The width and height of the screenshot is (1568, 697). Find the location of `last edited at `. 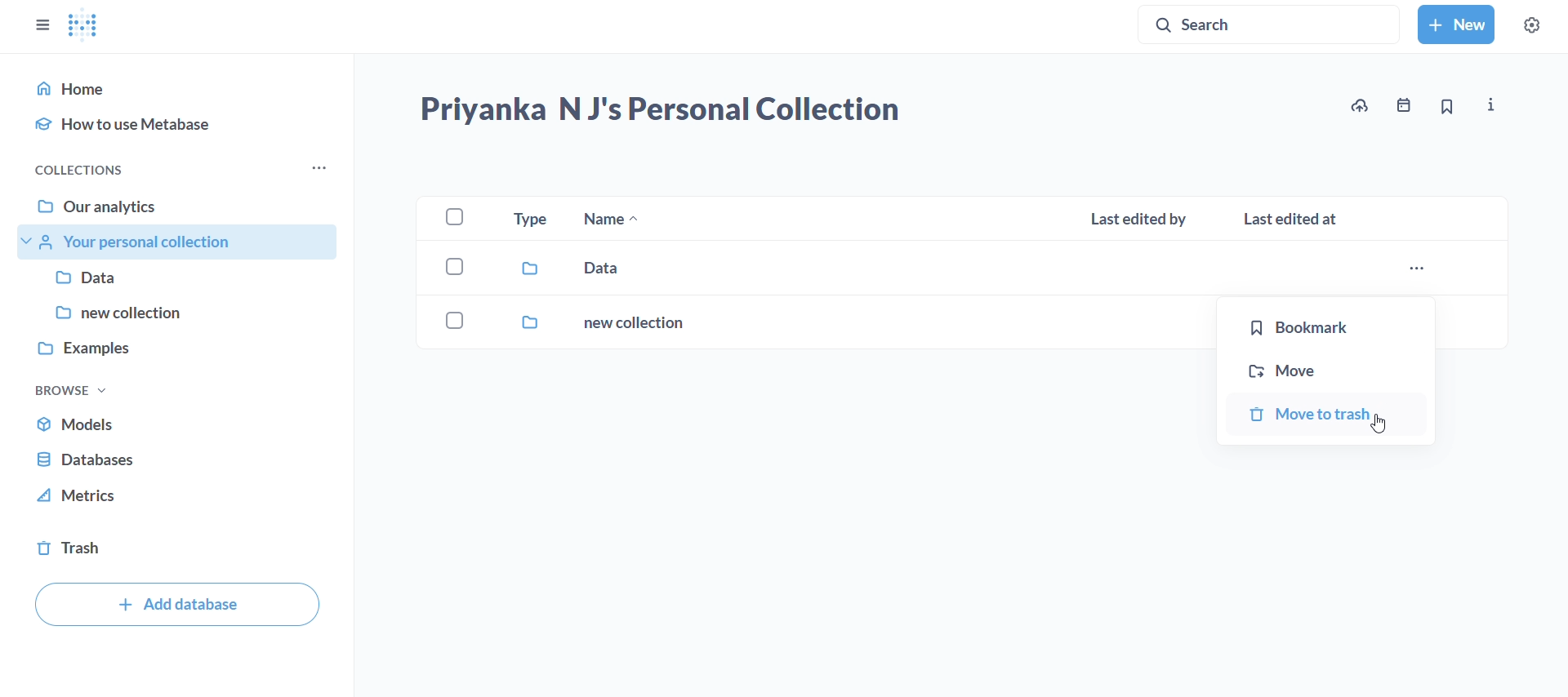

last edited at  is located at coordinates (1294, 220).